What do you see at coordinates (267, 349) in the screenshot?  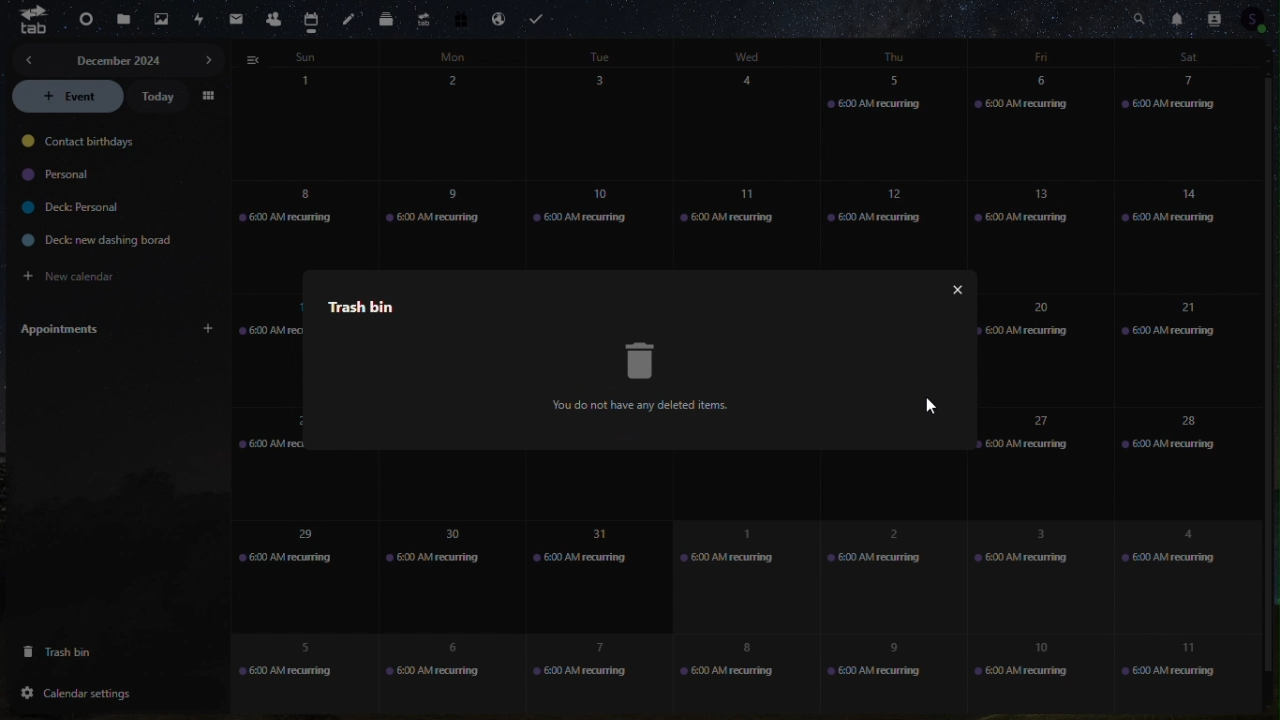 I see `15` at bounding box center [267, 349].